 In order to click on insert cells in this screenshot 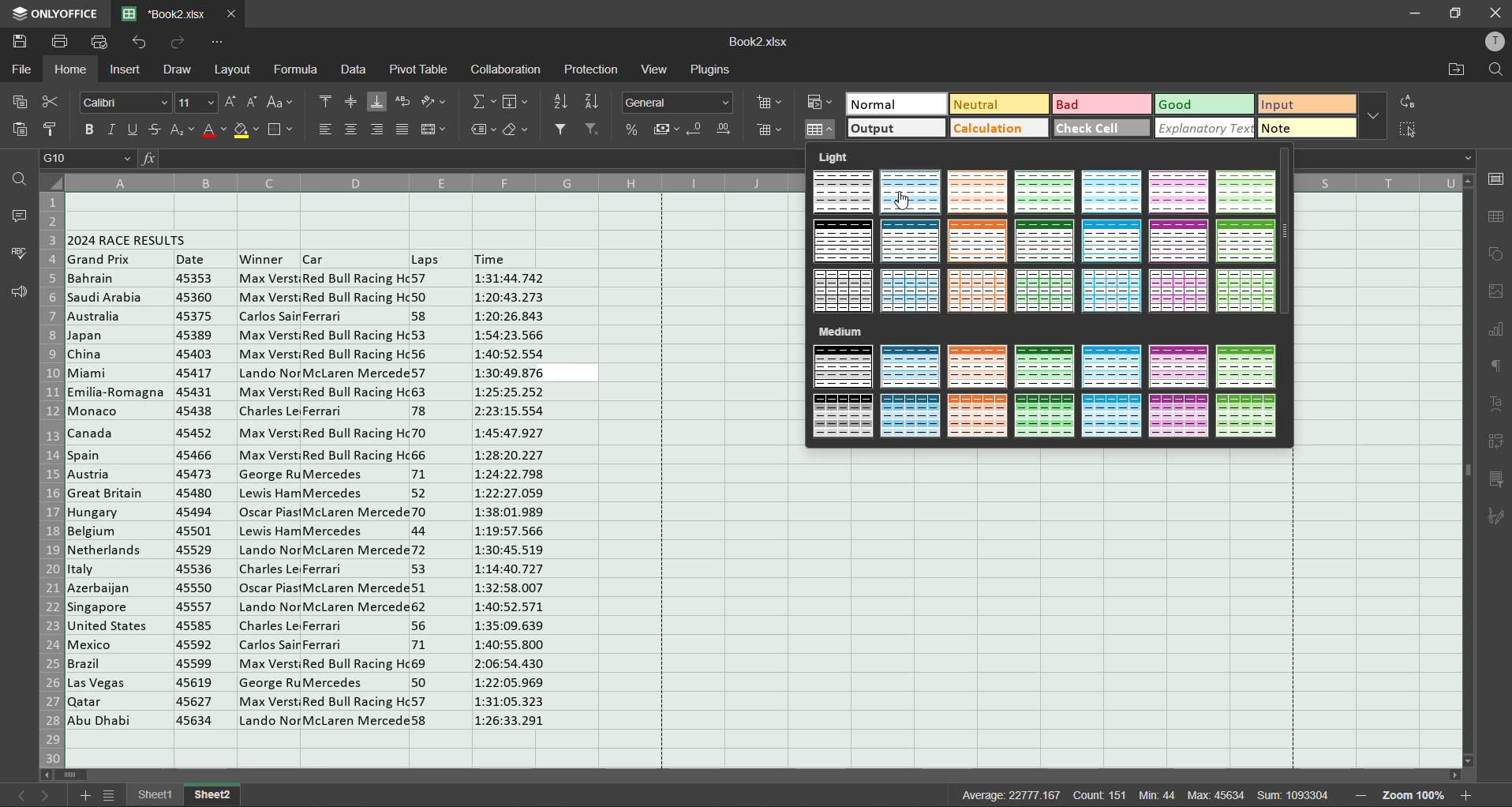, I will do `click(768, 103)`.